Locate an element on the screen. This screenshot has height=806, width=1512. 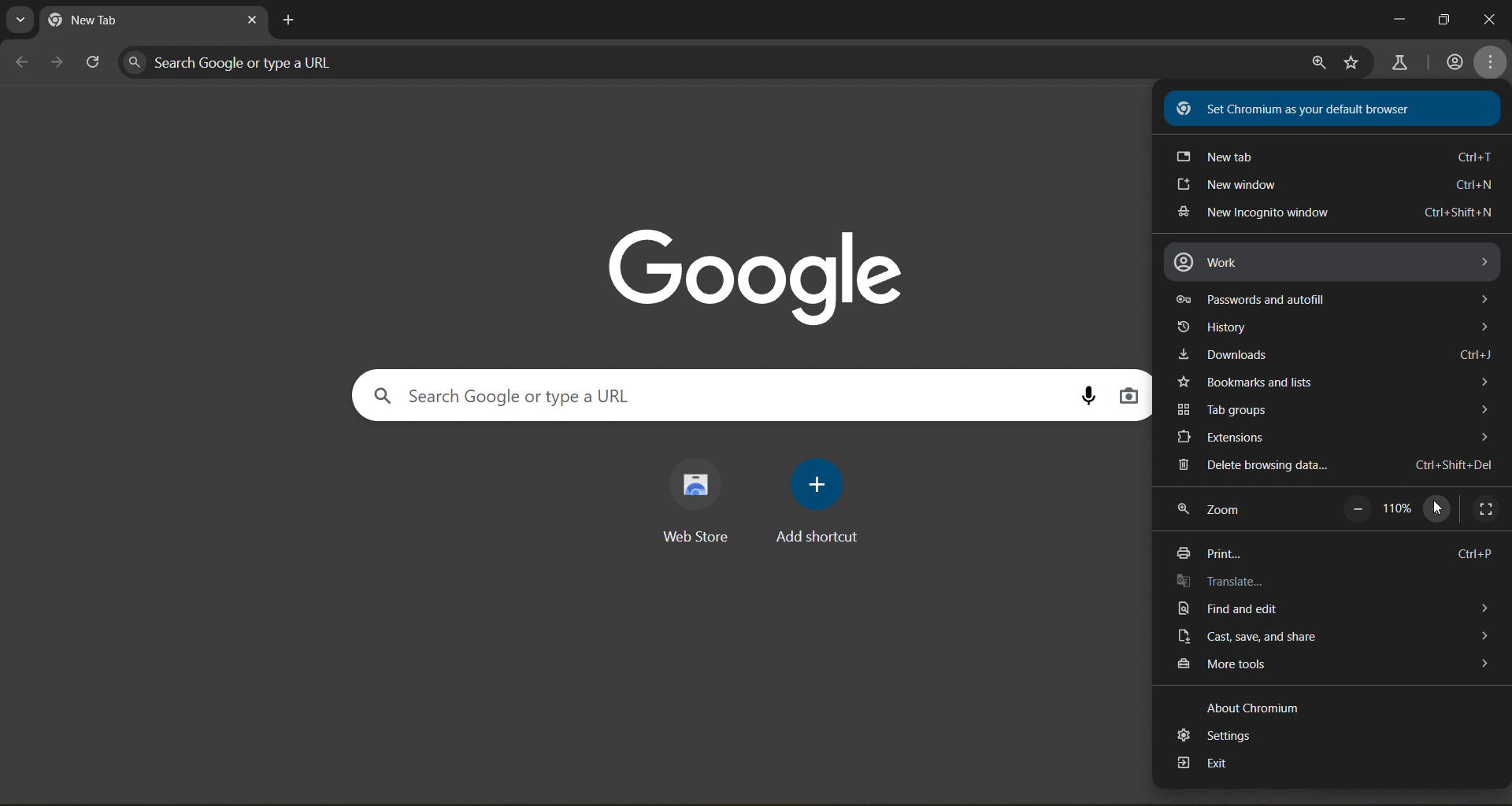
translate is located at coordinates (1225, 582).